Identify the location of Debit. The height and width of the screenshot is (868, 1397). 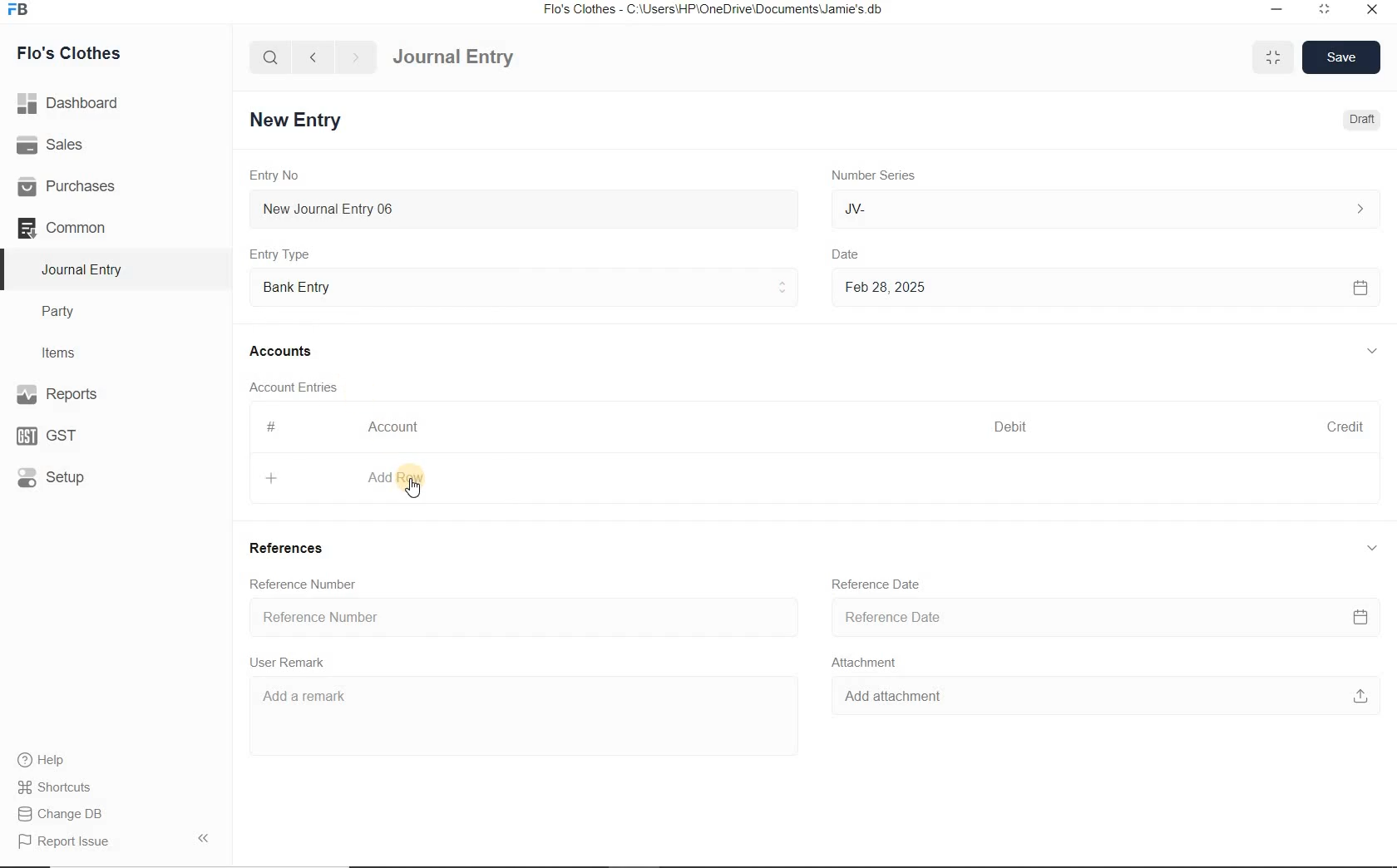
(1012, 427).